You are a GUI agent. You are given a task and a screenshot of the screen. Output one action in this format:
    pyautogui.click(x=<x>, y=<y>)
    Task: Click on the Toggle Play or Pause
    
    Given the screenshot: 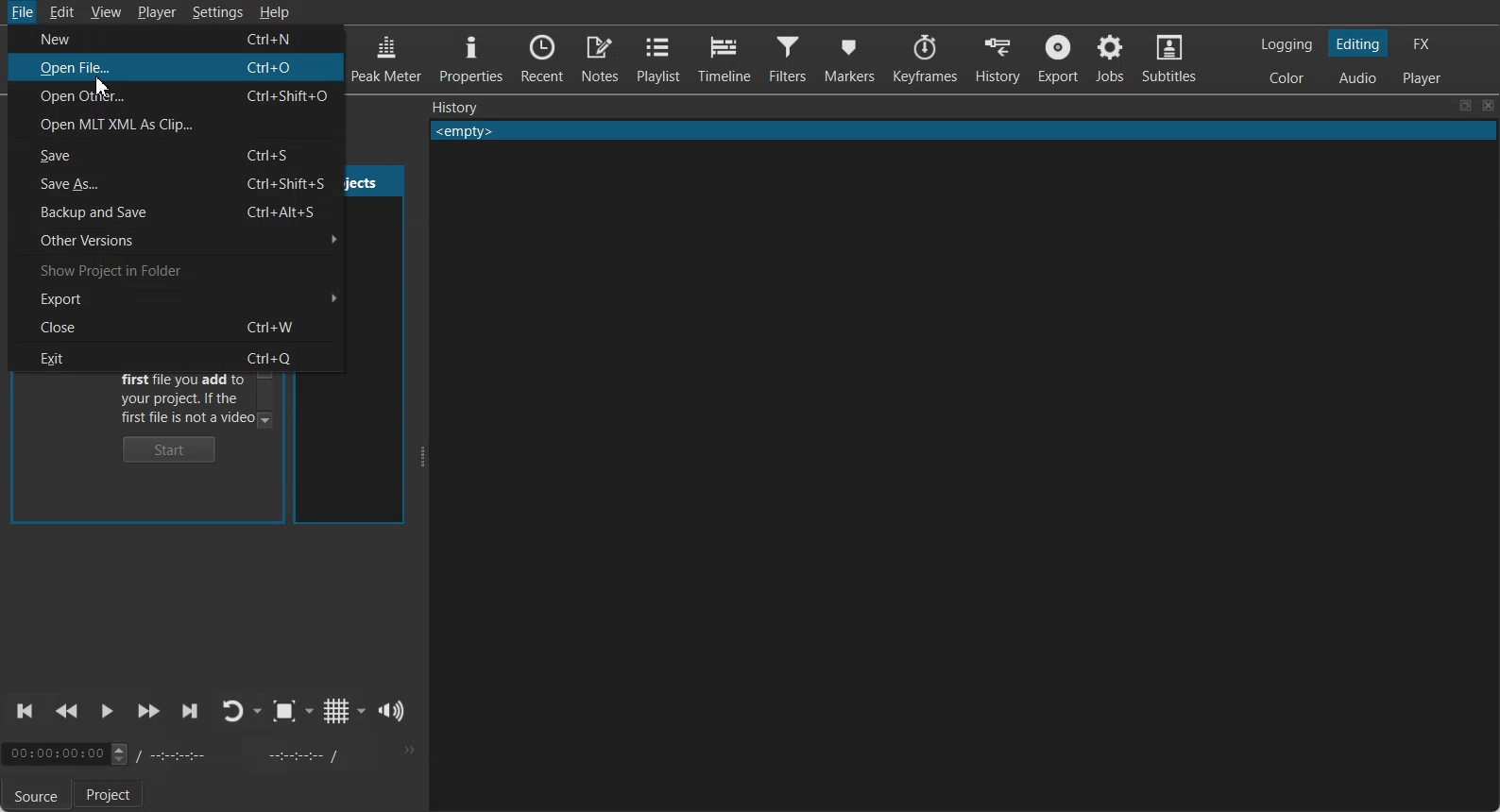 What is the action you would take?
    pyautogui.click(x=105, y=713)
    